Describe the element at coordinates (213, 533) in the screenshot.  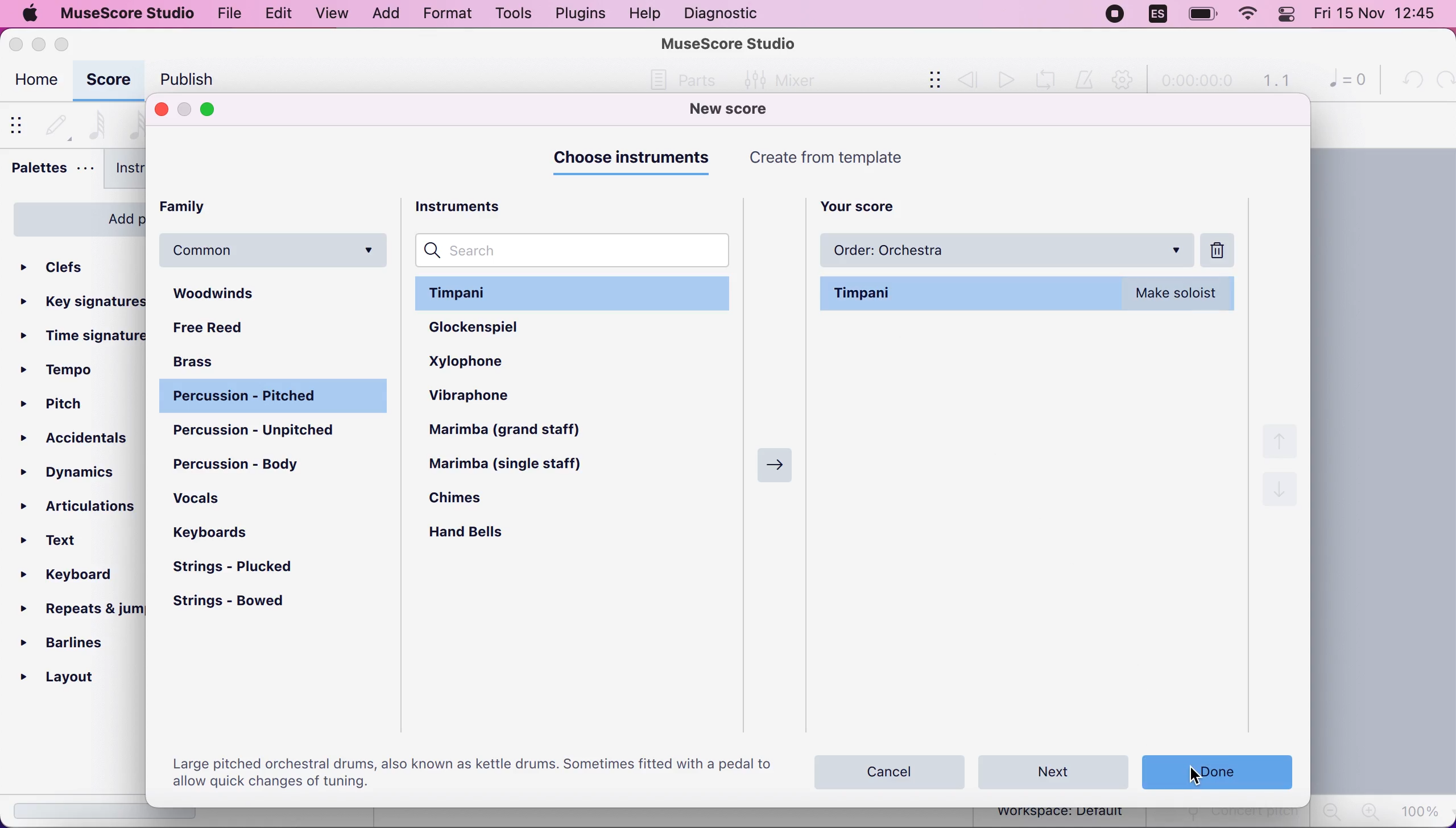
I see `keyboards` at that location.